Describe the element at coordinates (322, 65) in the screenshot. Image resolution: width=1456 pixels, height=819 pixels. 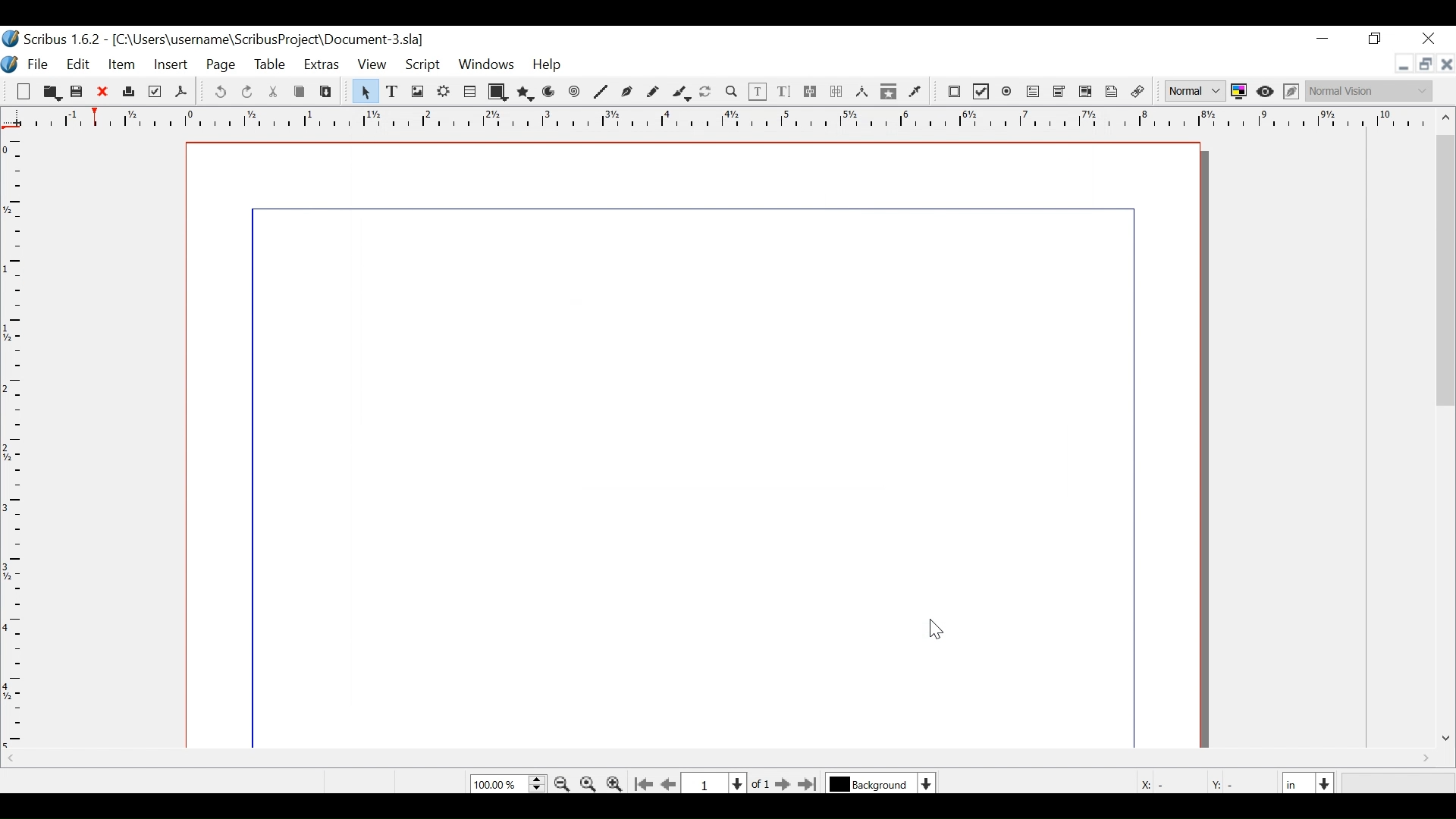
I see `Extras` at that location.